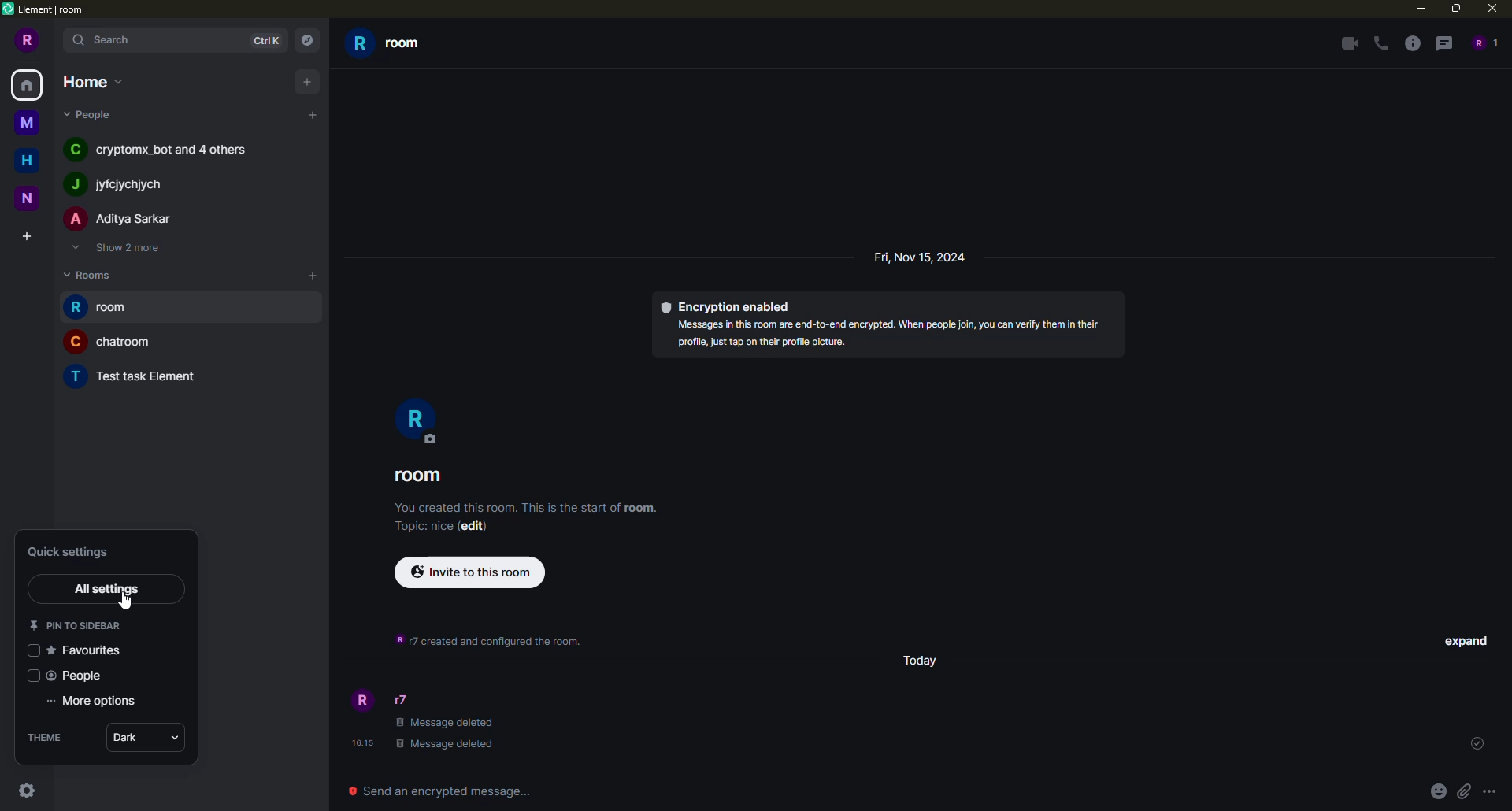  What do you see at coordinates (490, 641) in the screenshot?
I see `info` at bounding box center [490, 641].